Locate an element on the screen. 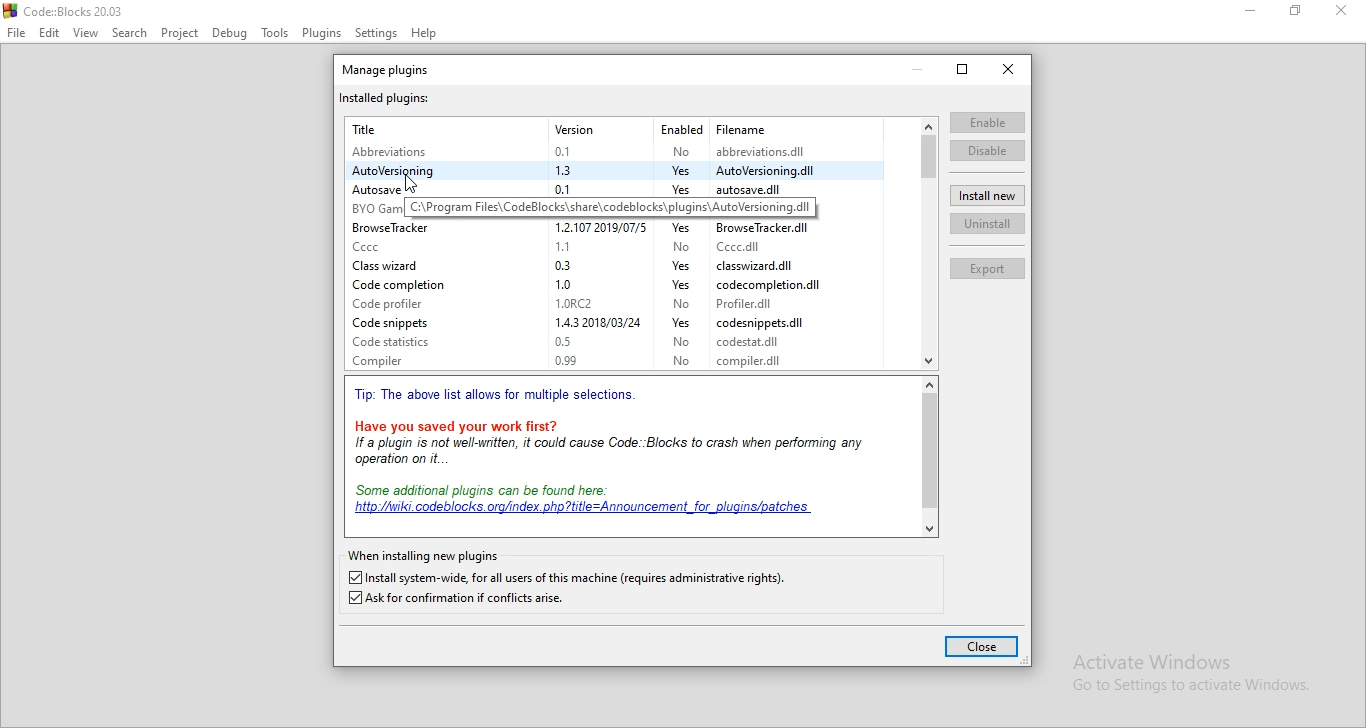 The image size is (1366, 728). Help is located at coordinates (425, 34).